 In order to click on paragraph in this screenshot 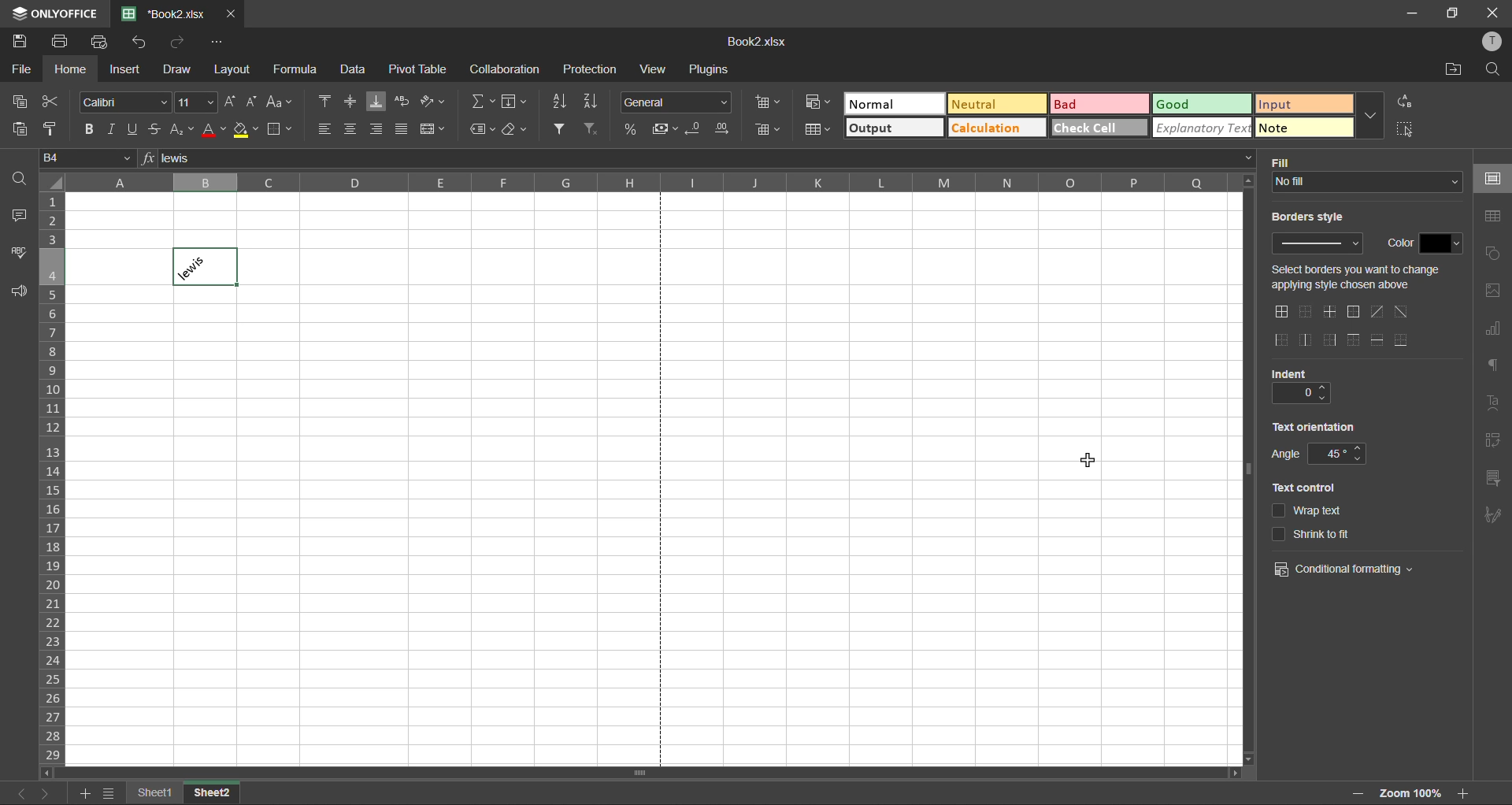, I will do `click(1490, 365)`.